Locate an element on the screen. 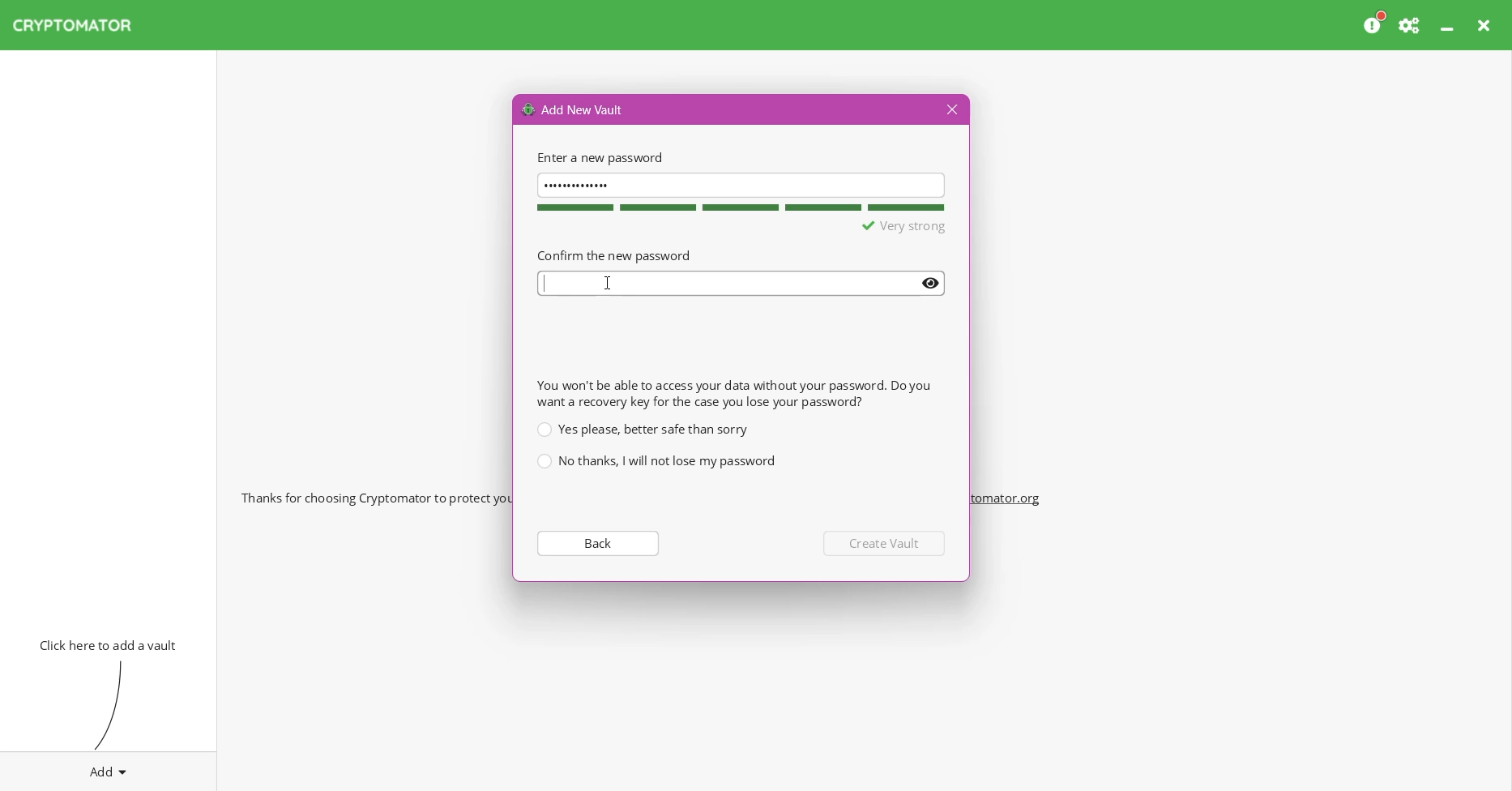  (un)check please, I will not lose my password is located at coordinates (656, 461).